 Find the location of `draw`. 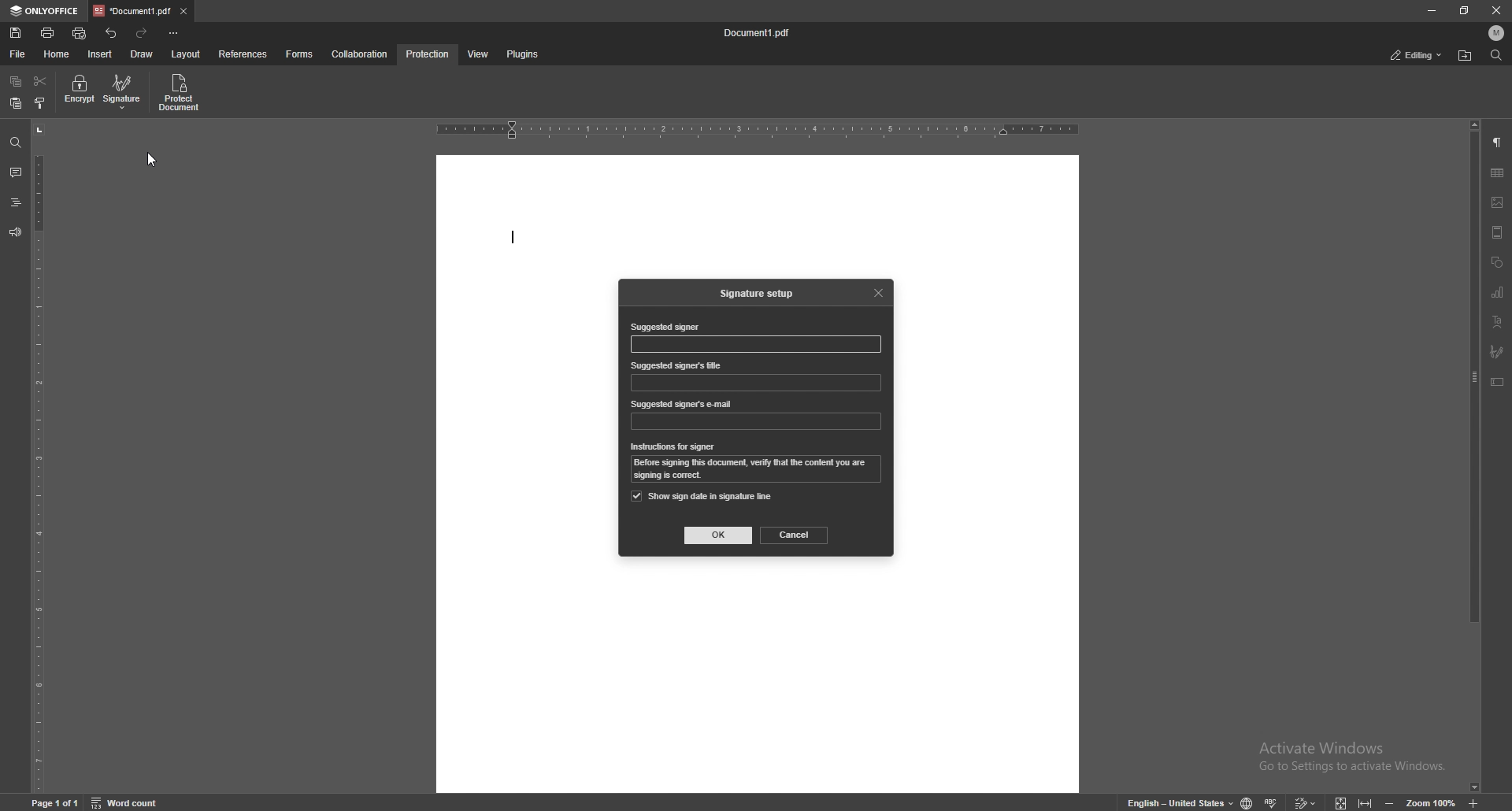

draw is located at coordinates (142, 54).